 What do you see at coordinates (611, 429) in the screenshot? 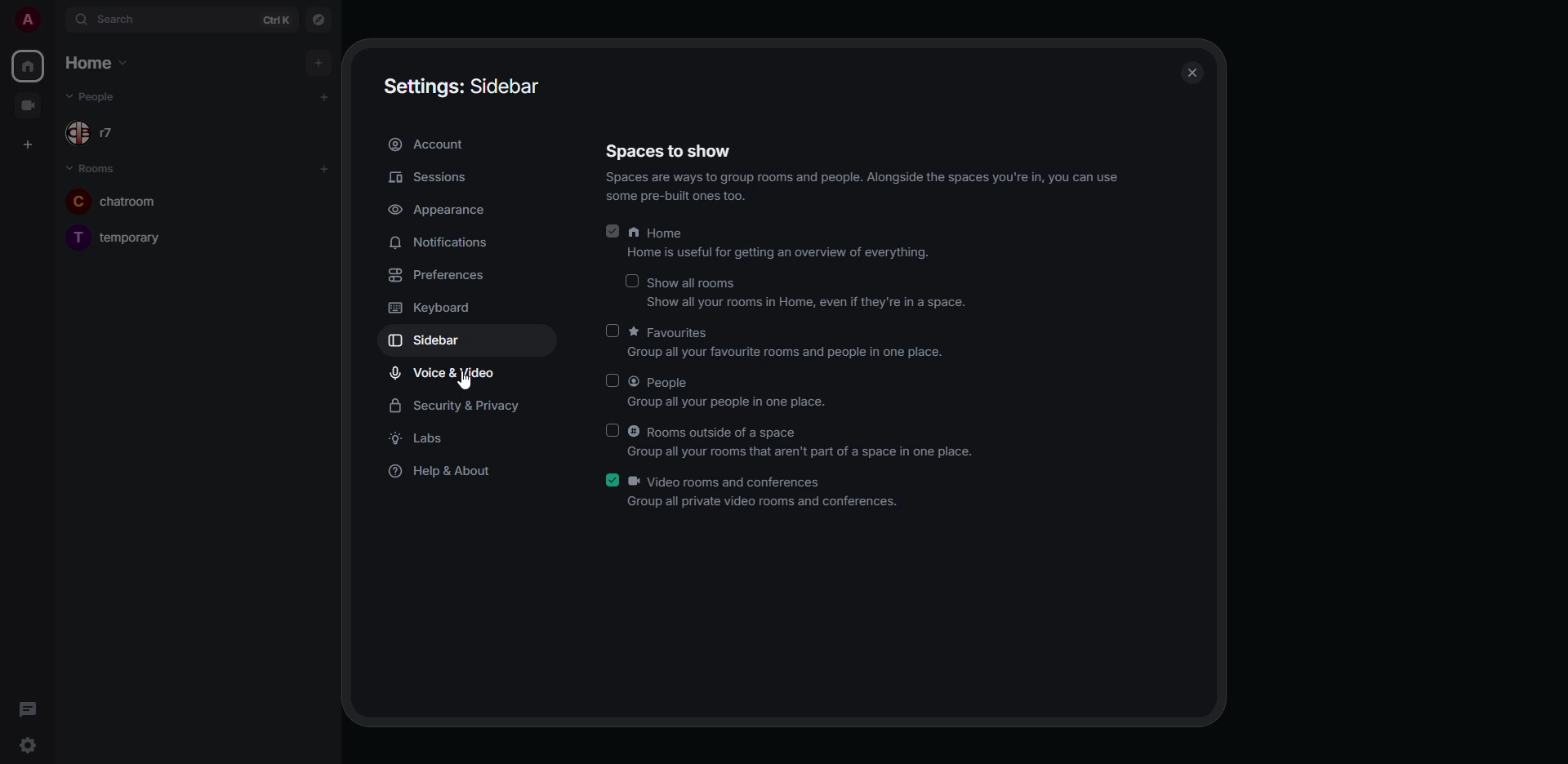
I see `click to enable` at bounding box center [611, 429].